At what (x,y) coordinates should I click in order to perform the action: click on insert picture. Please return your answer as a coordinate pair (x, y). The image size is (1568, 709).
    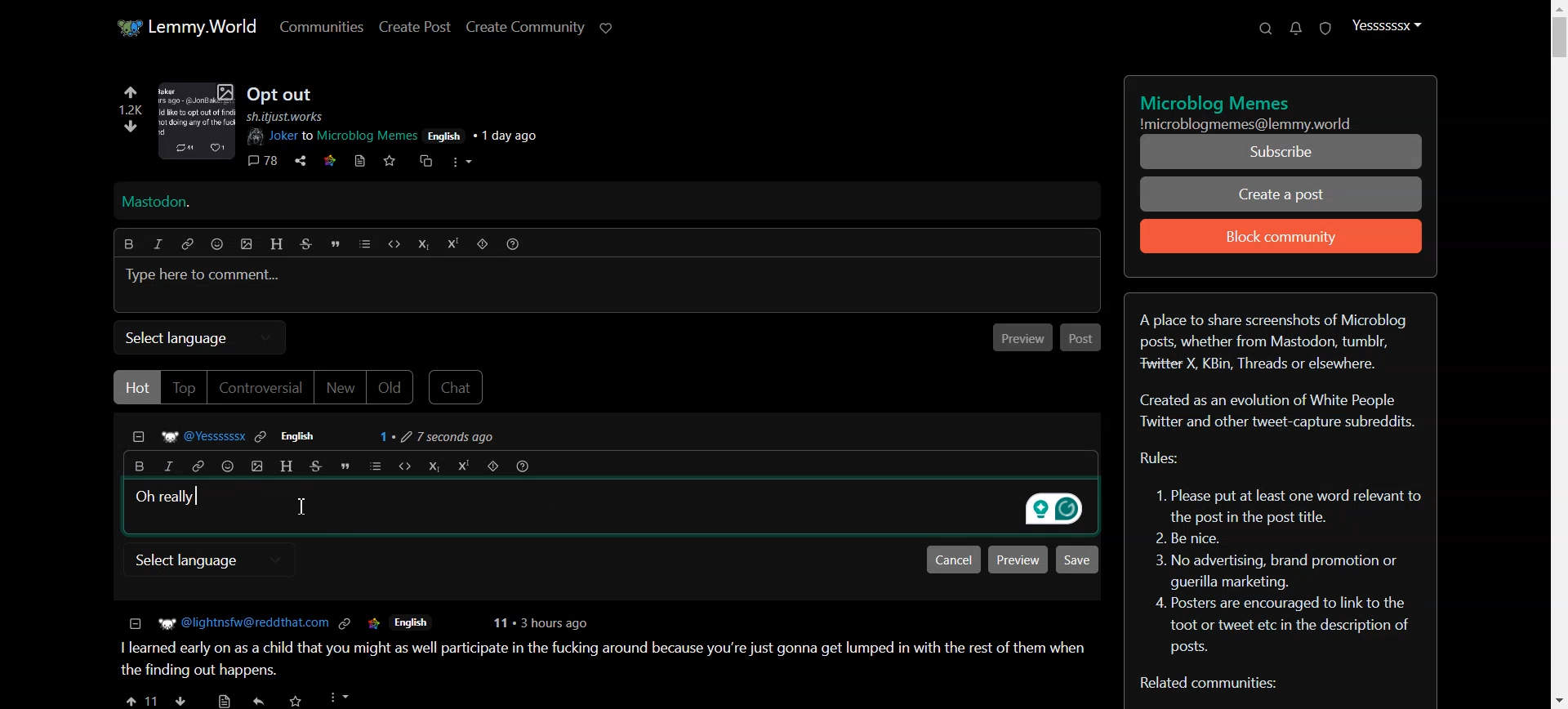
    Looking at the image, I should click on (247, 245).